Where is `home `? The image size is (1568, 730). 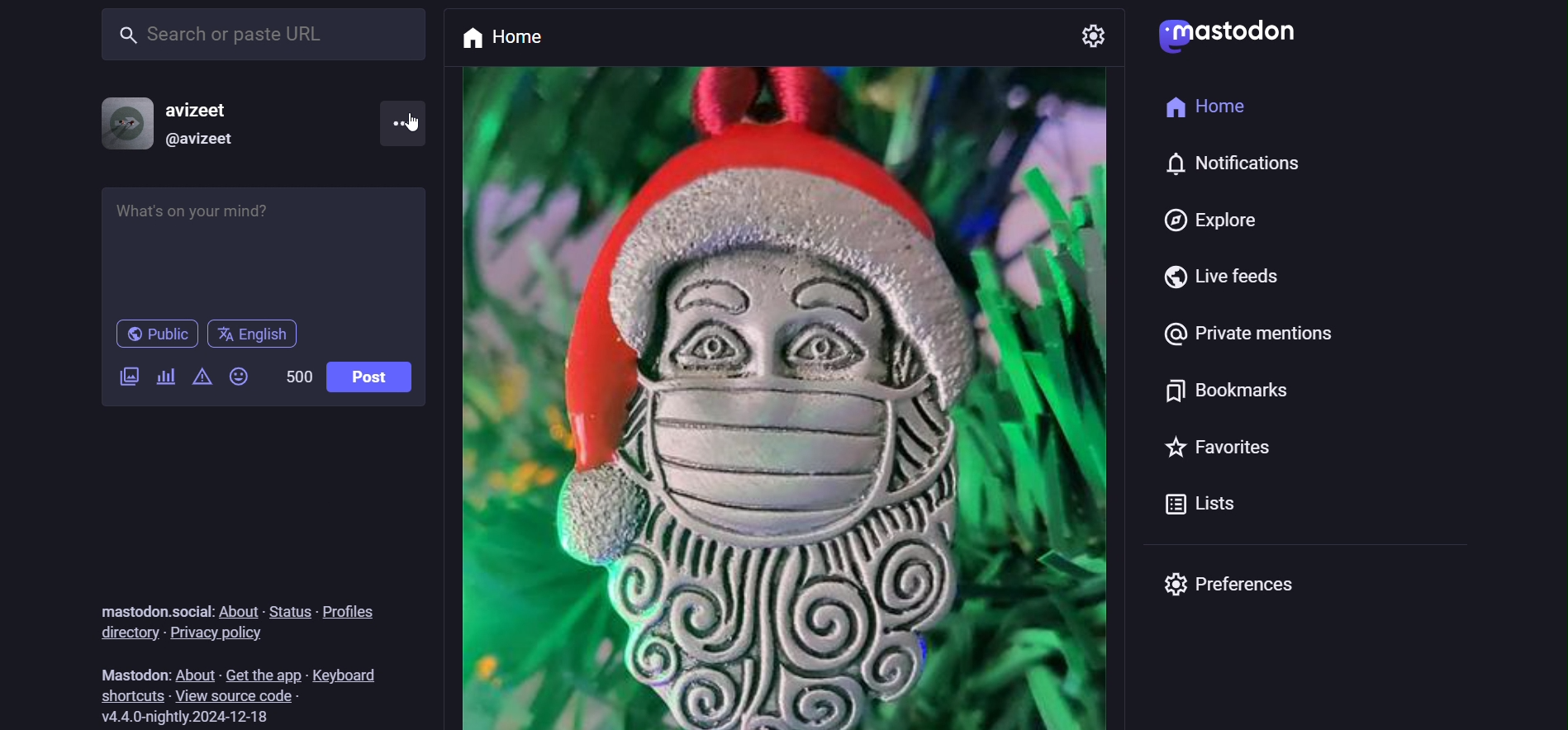
home  is located at coordinates (535, 37).